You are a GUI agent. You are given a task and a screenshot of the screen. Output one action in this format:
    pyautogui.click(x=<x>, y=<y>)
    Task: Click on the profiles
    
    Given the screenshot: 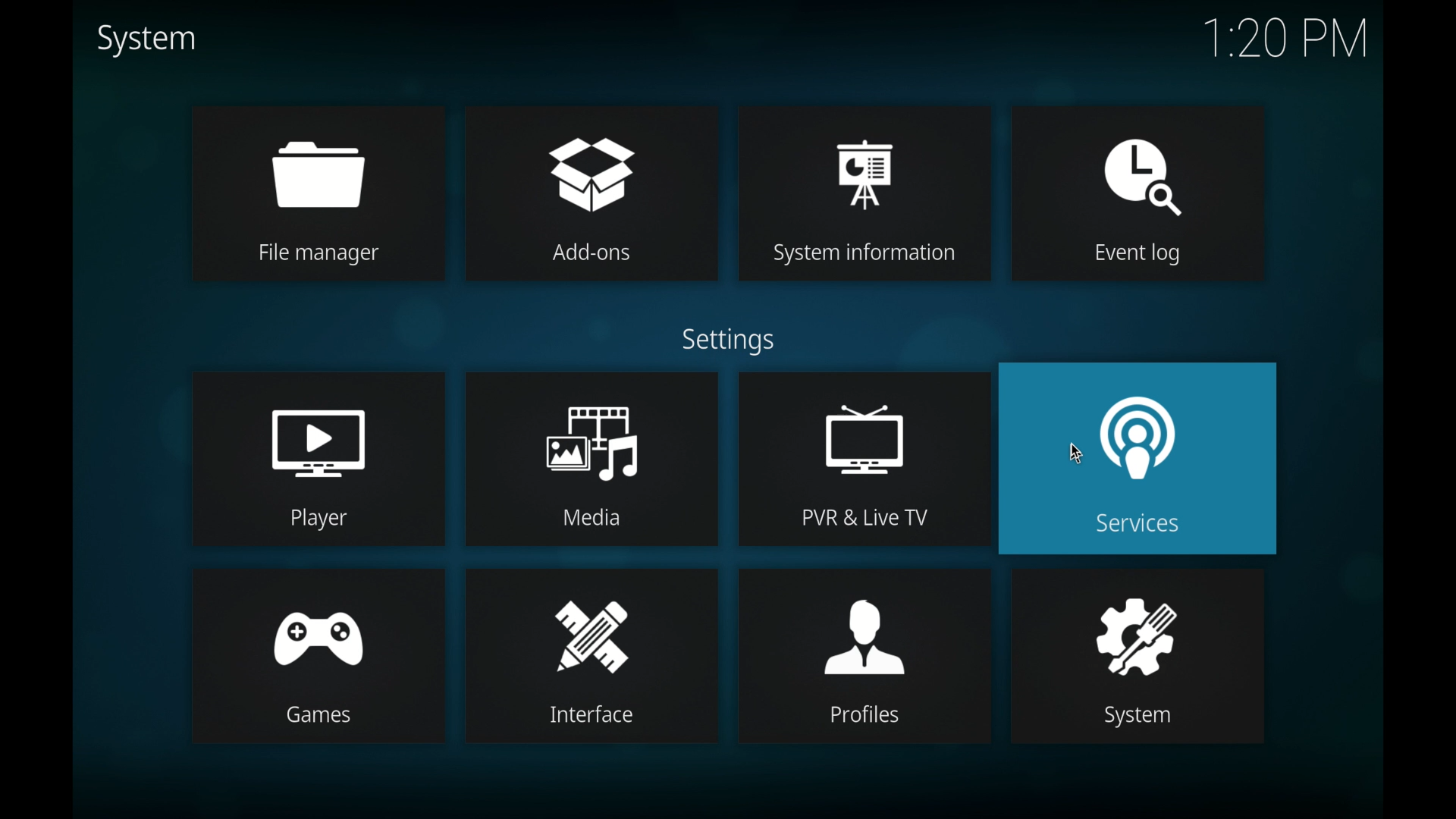 What is the action you would take?
    pyautogui.click(x=864, y=657)
    